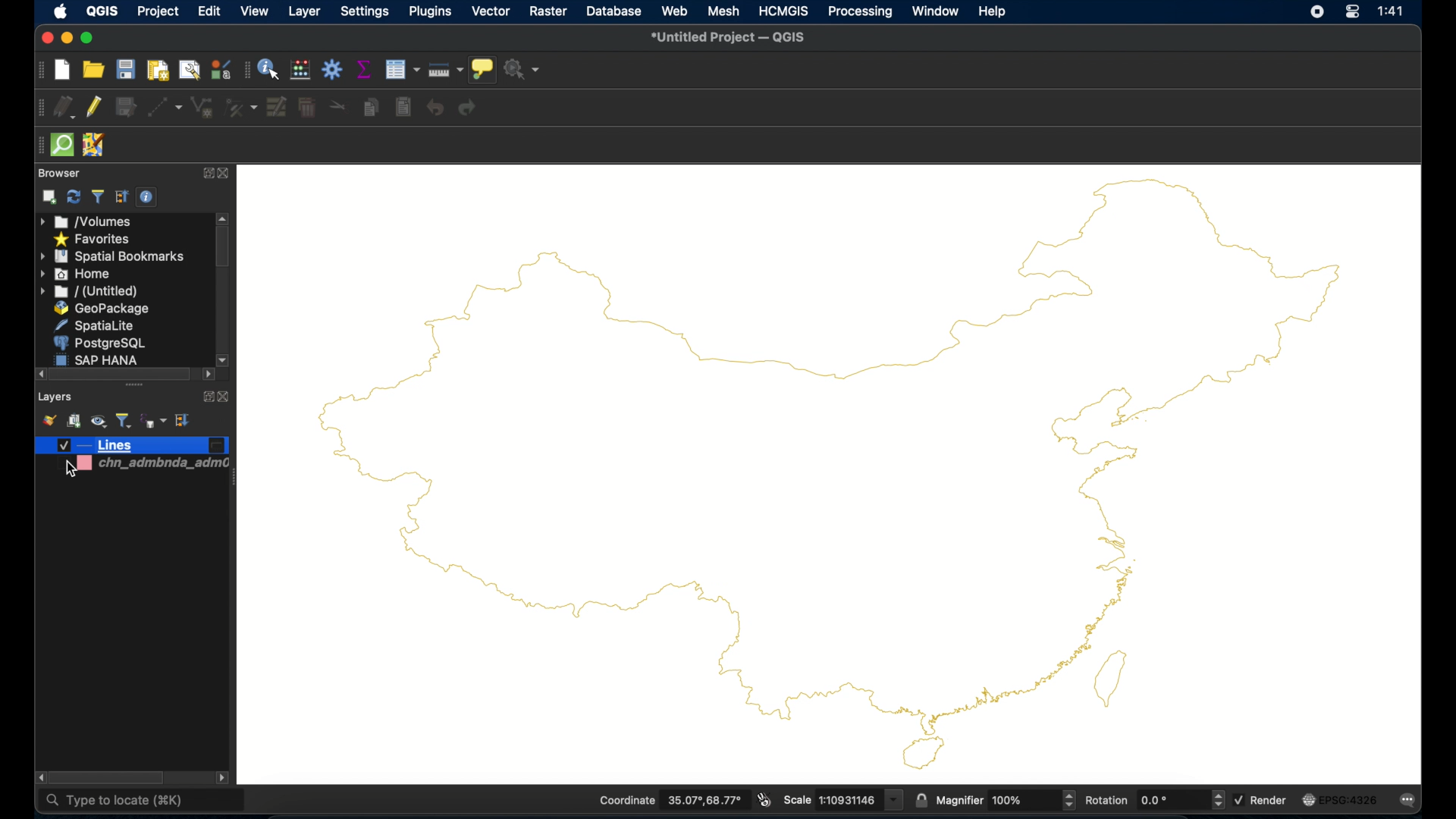 Image resolution: width=1456 pixels, height=819 pixels. Describe the element at coordinates (113, 257) in the screenshot. I see `spatial bookmarks` at that location.